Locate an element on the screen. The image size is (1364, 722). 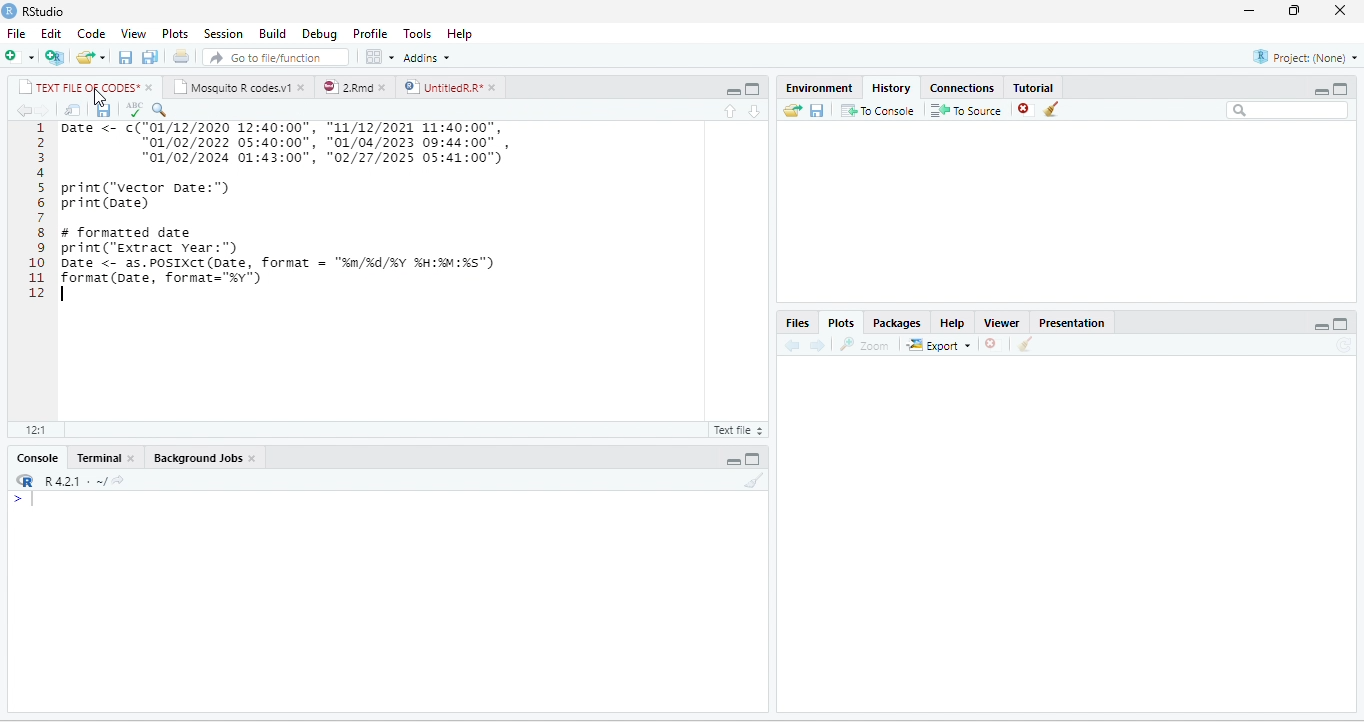
down is located at coordinates (755, 111).